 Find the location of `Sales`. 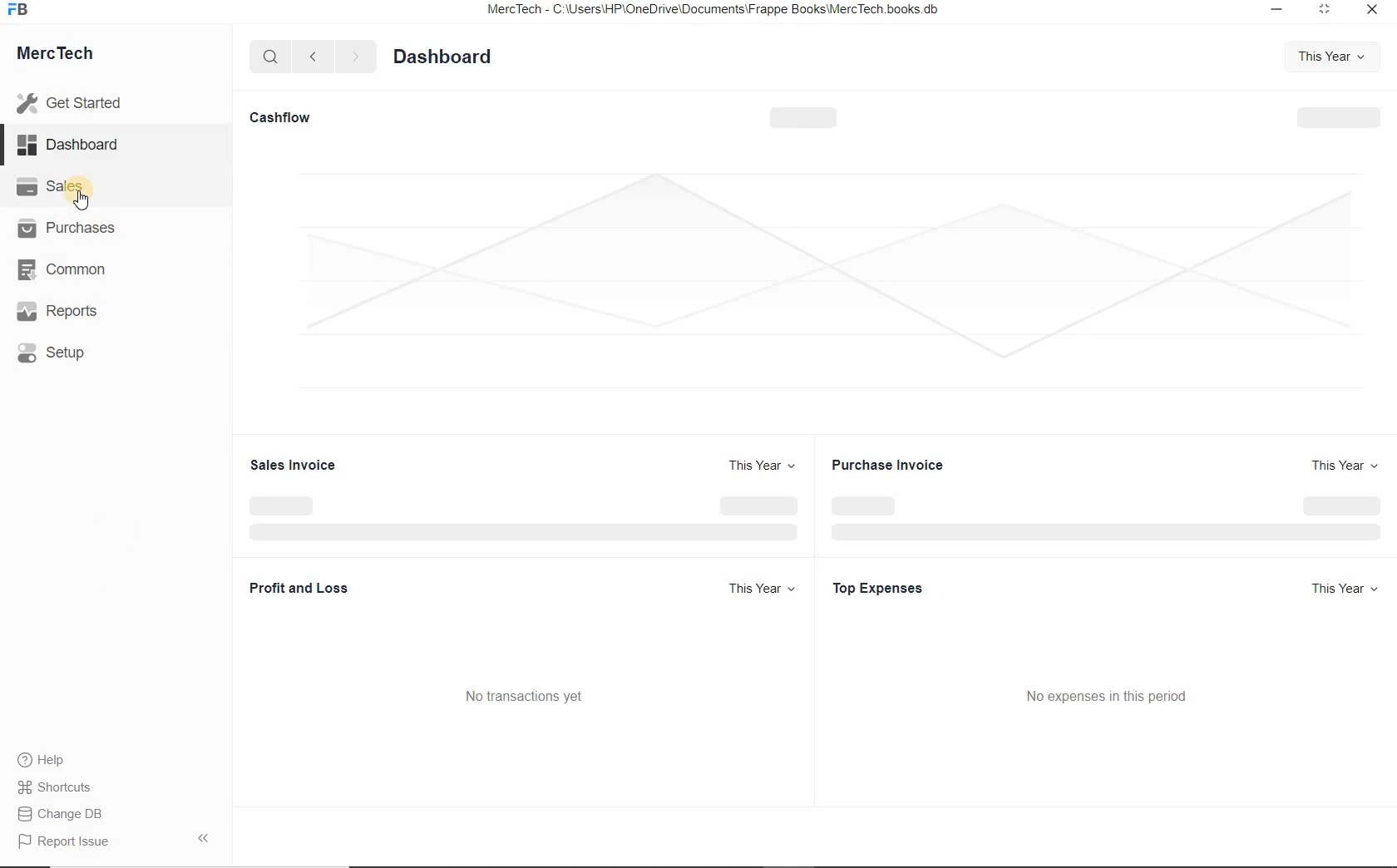

Sales is located at coordinates (65, 189).